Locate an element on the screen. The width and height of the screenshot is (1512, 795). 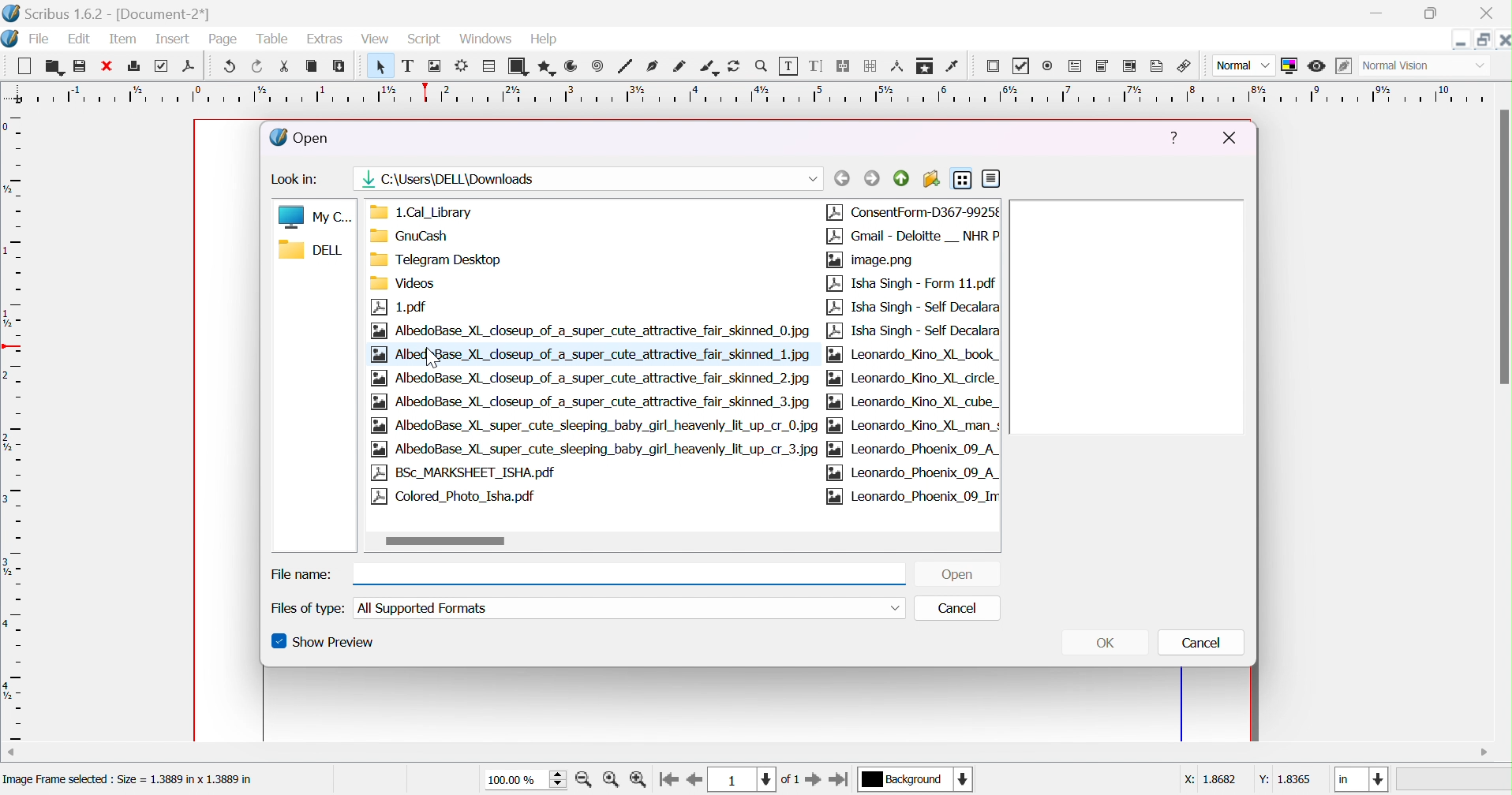
windows is located at coordinates (485, 40).